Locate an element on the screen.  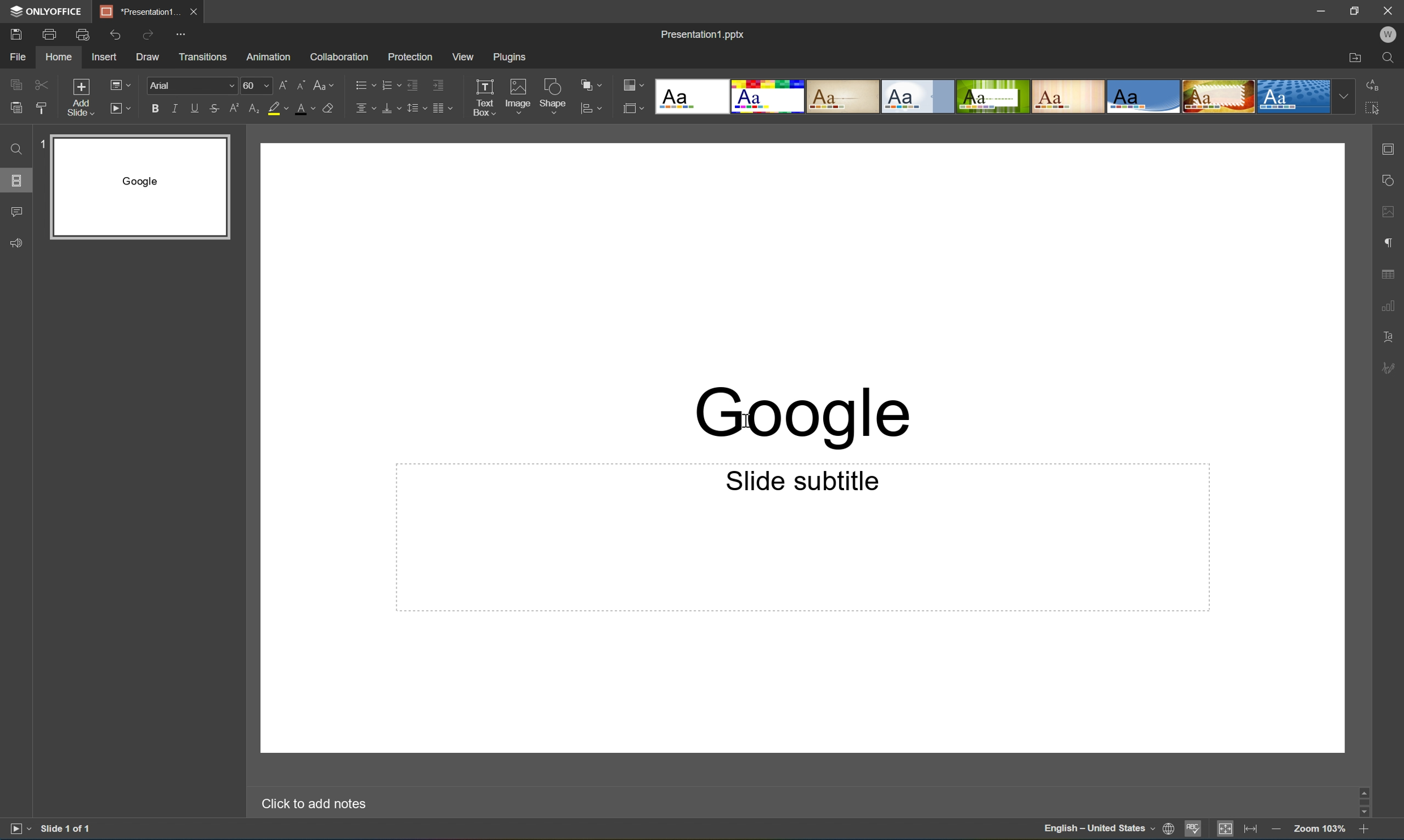
Customize Quick Access Toolbar is located at coordinates (181, 35).